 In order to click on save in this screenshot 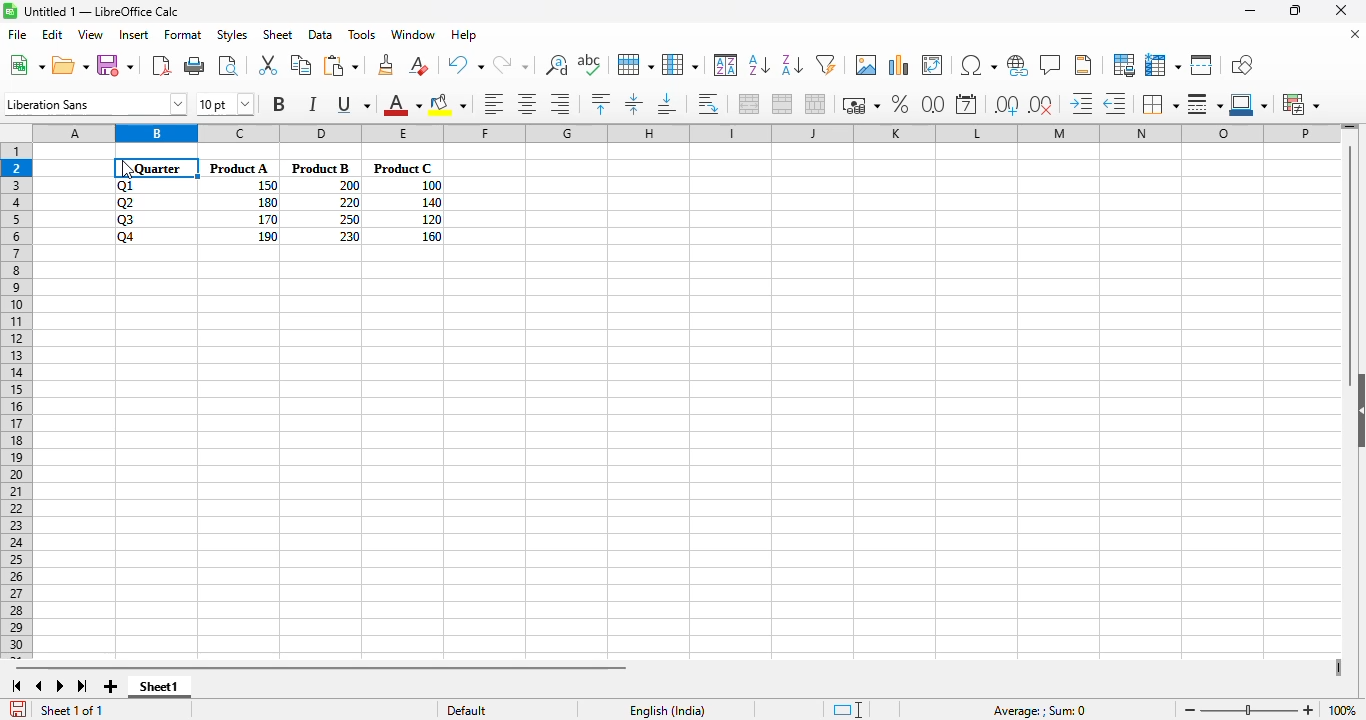, I will do `click(115, 66)`.